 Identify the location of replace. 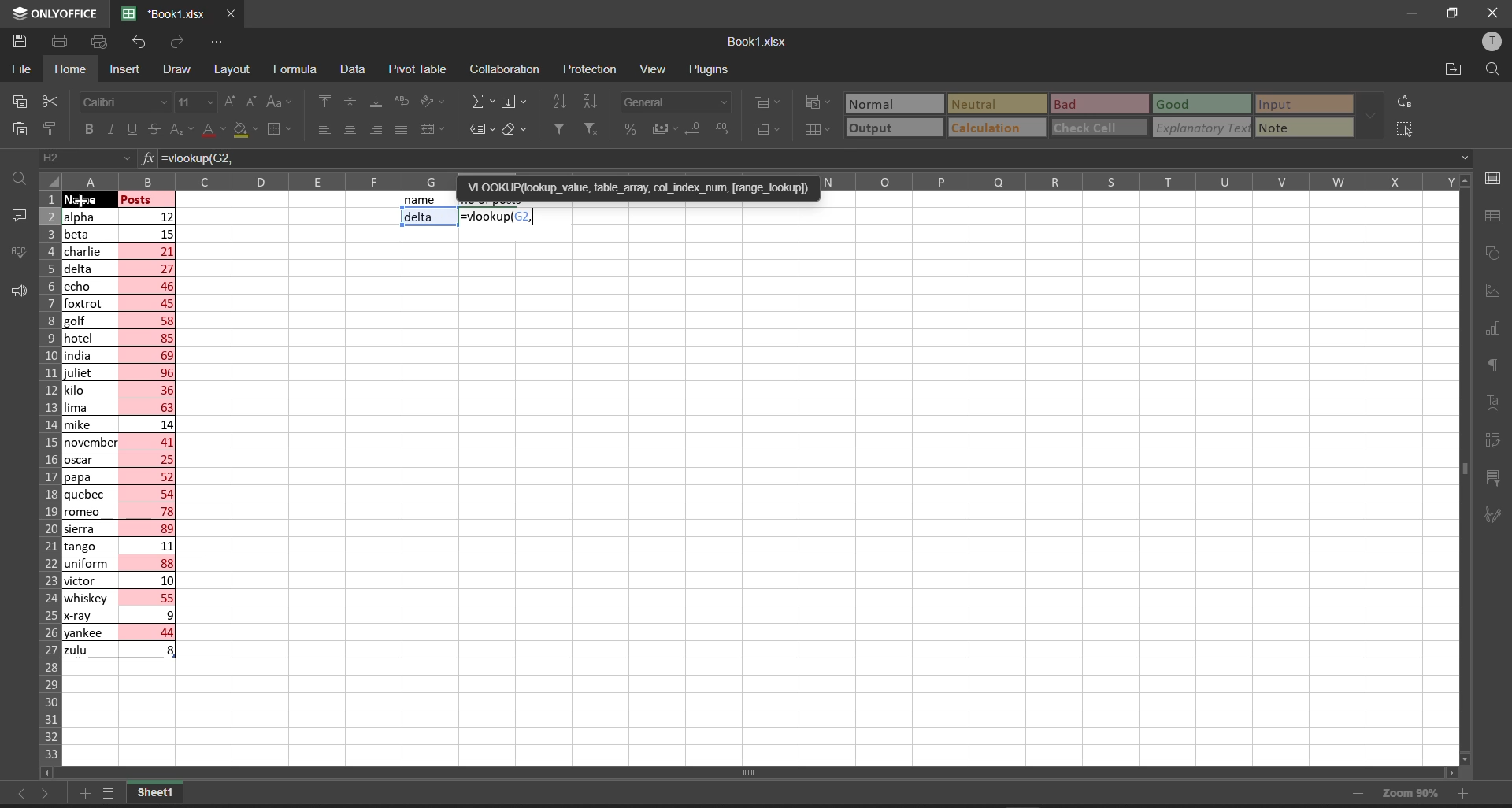
(1406, 101).